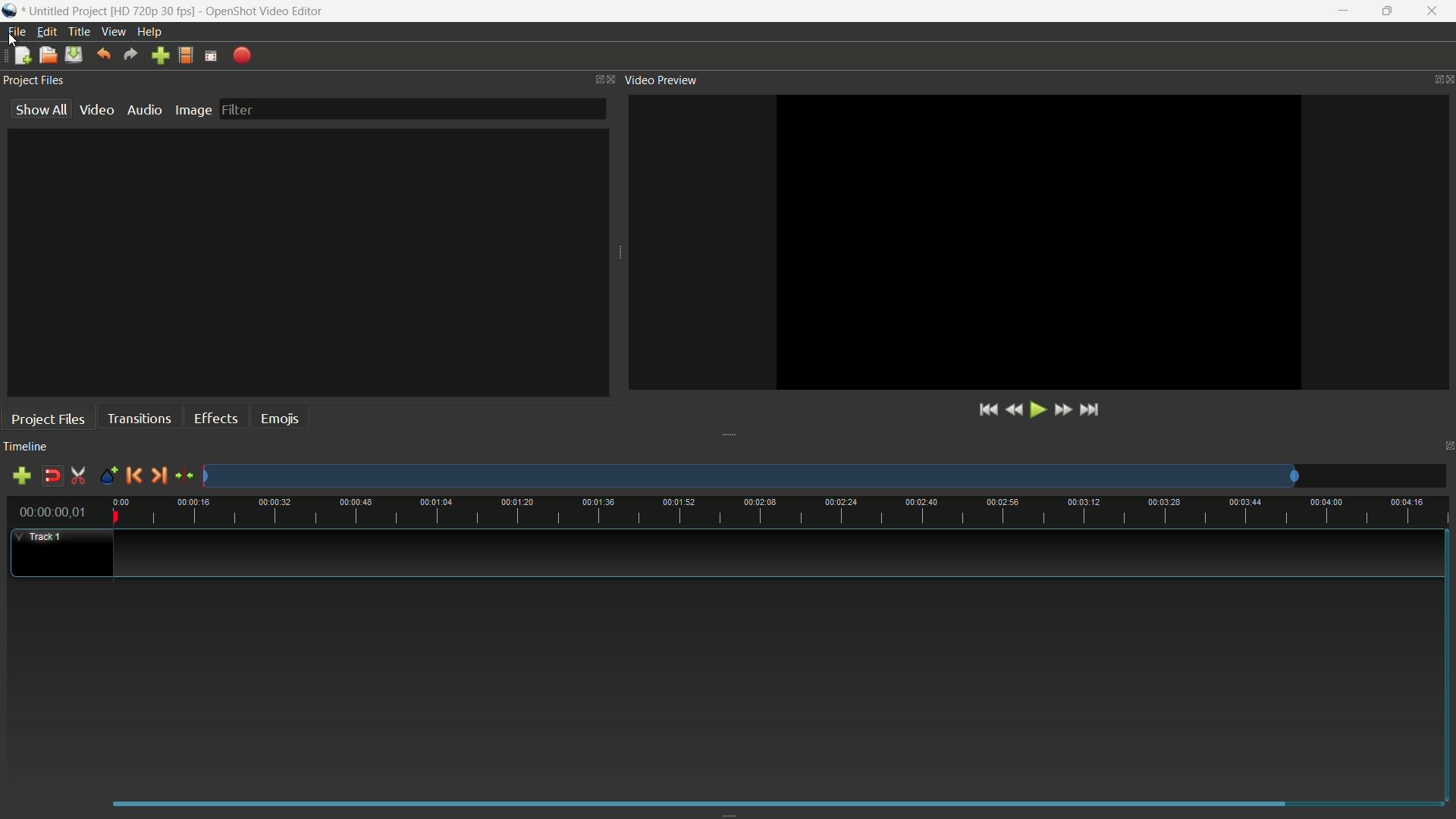 The height and width of the screenshot is (819, 1456). Describe the element at coordinates (78, 475) in the screenshot. I see `enable razor` at that location.